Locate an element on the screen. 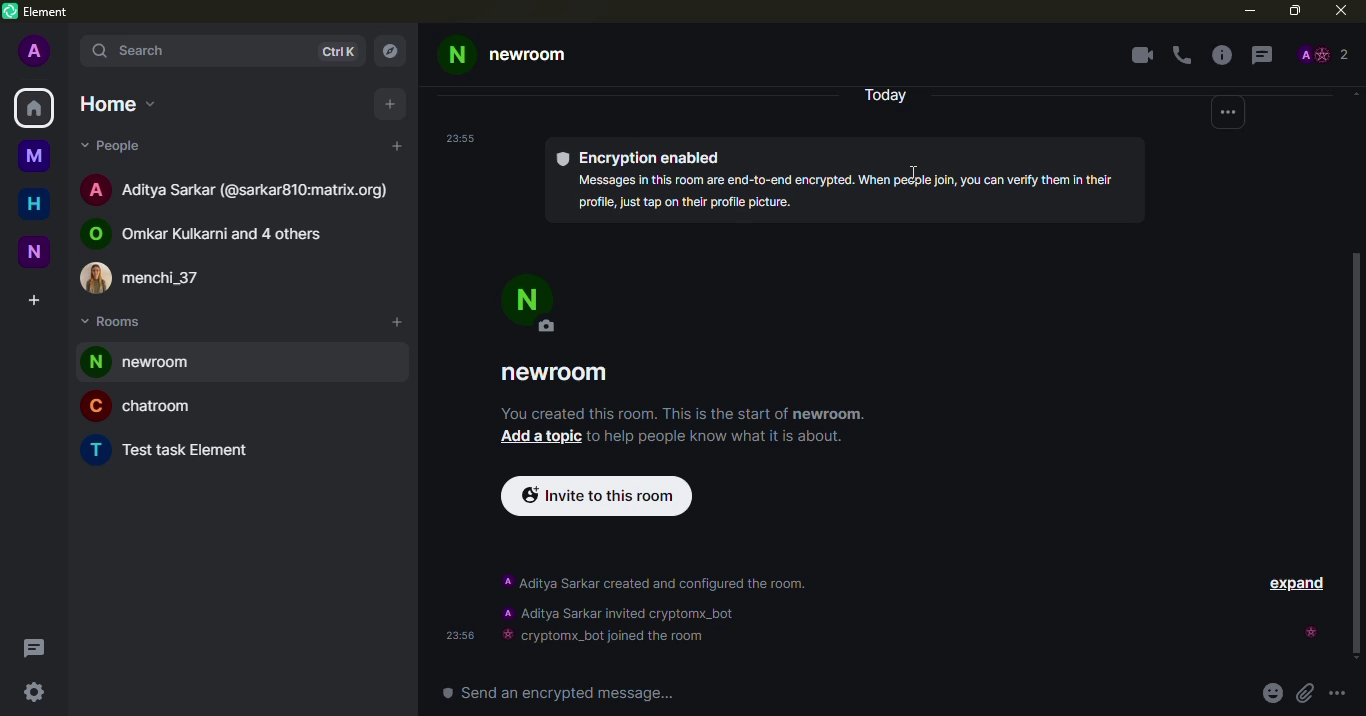 The image size is (1366, 716). newroom is located at coordinates (504, 53).